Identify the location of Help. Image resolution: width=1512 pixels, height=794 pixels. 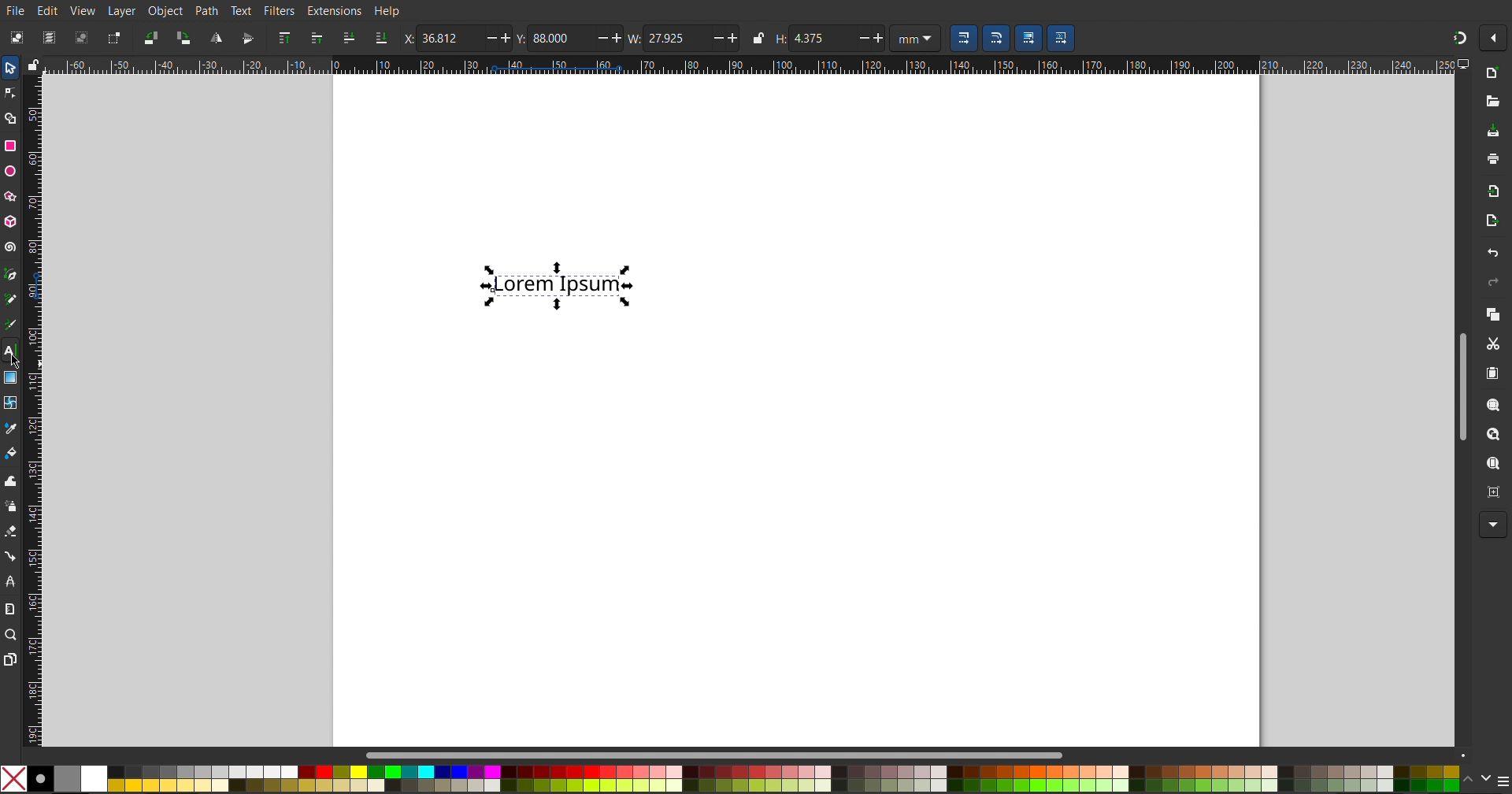
(386, 12).